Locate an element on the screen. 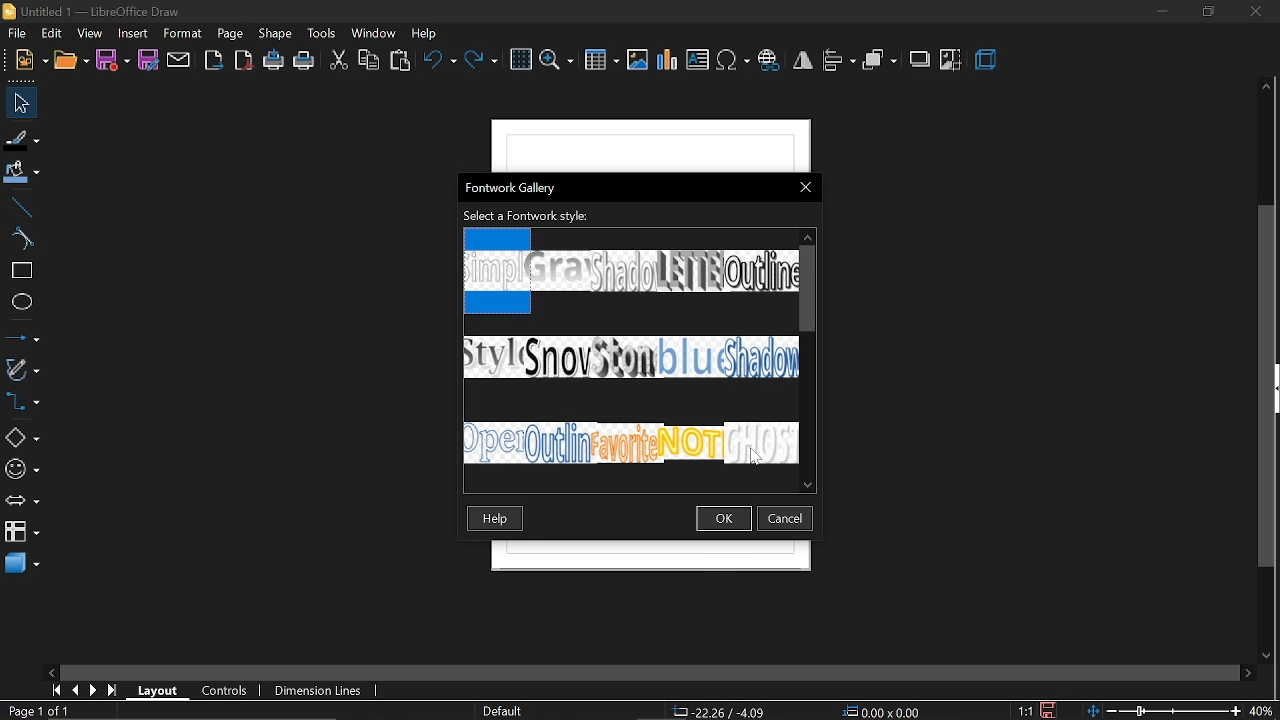 The image size is (1280, 720). ok is located at coordinates (726, 517).